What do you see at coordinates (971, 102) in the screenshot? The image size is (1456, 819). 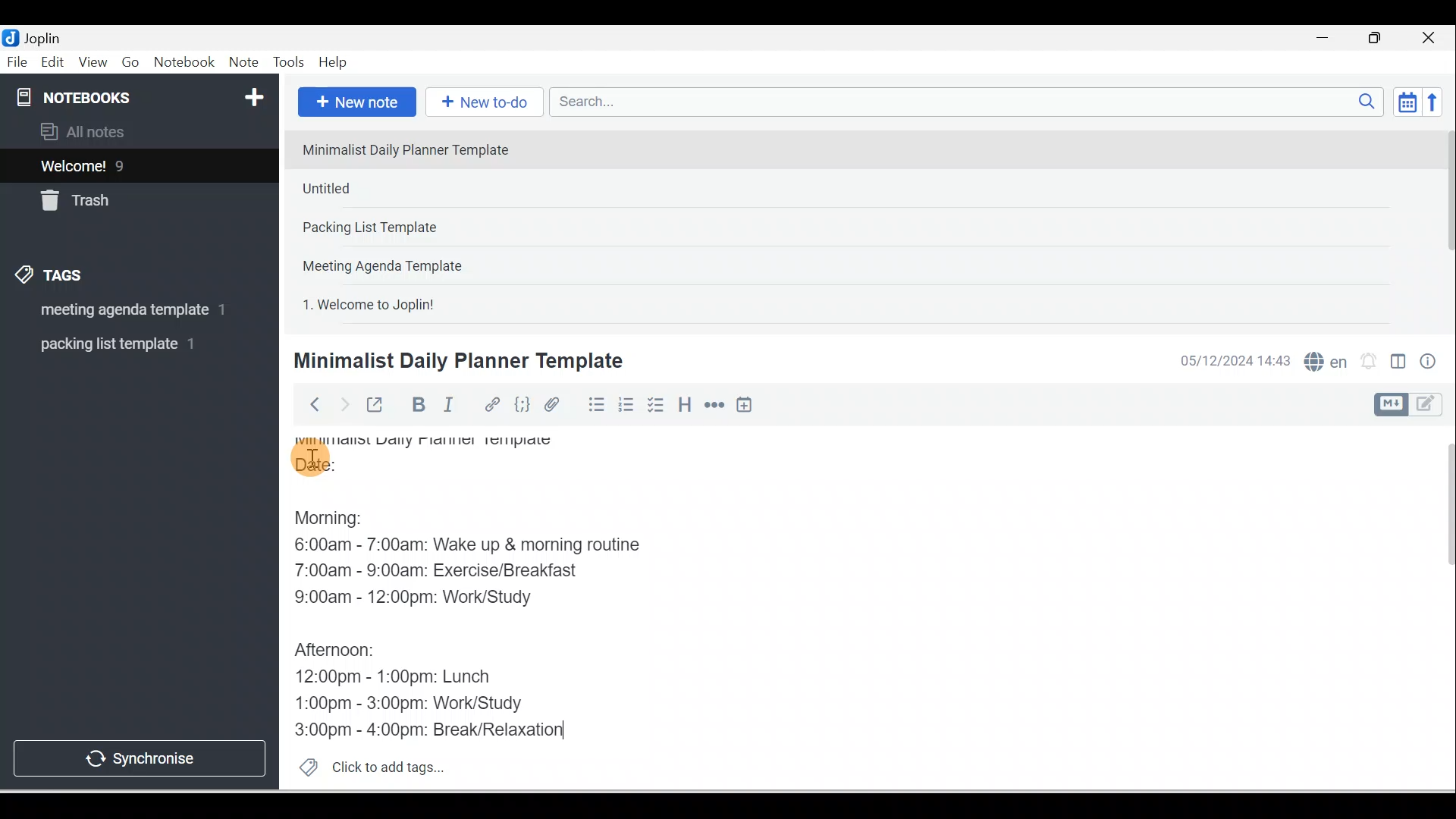 I see `Search bar` at bounding box center [971, 102].